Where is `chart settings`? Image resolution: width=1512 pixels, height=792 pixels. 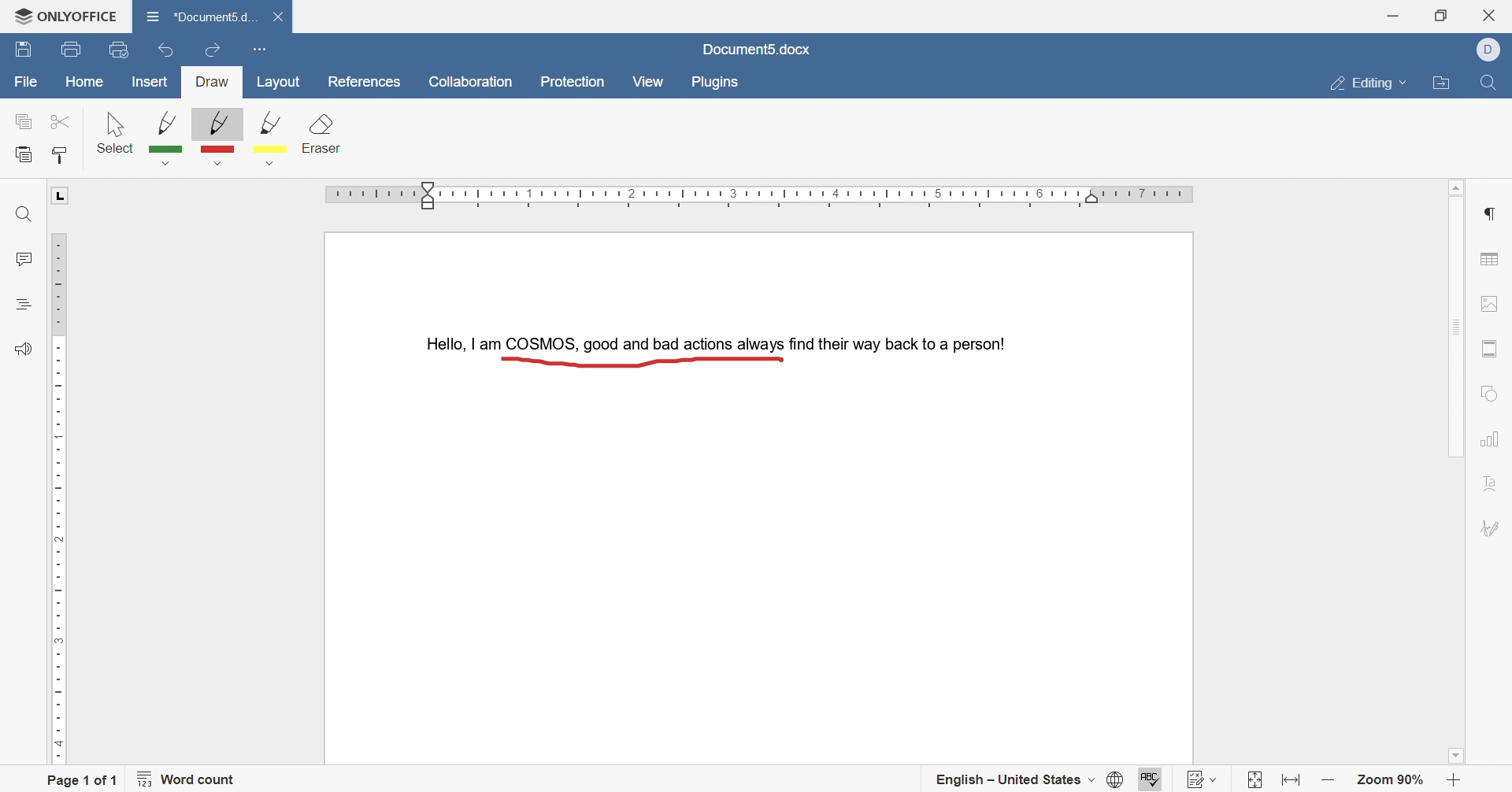
chart settings is located at coordinates (1490, 441).